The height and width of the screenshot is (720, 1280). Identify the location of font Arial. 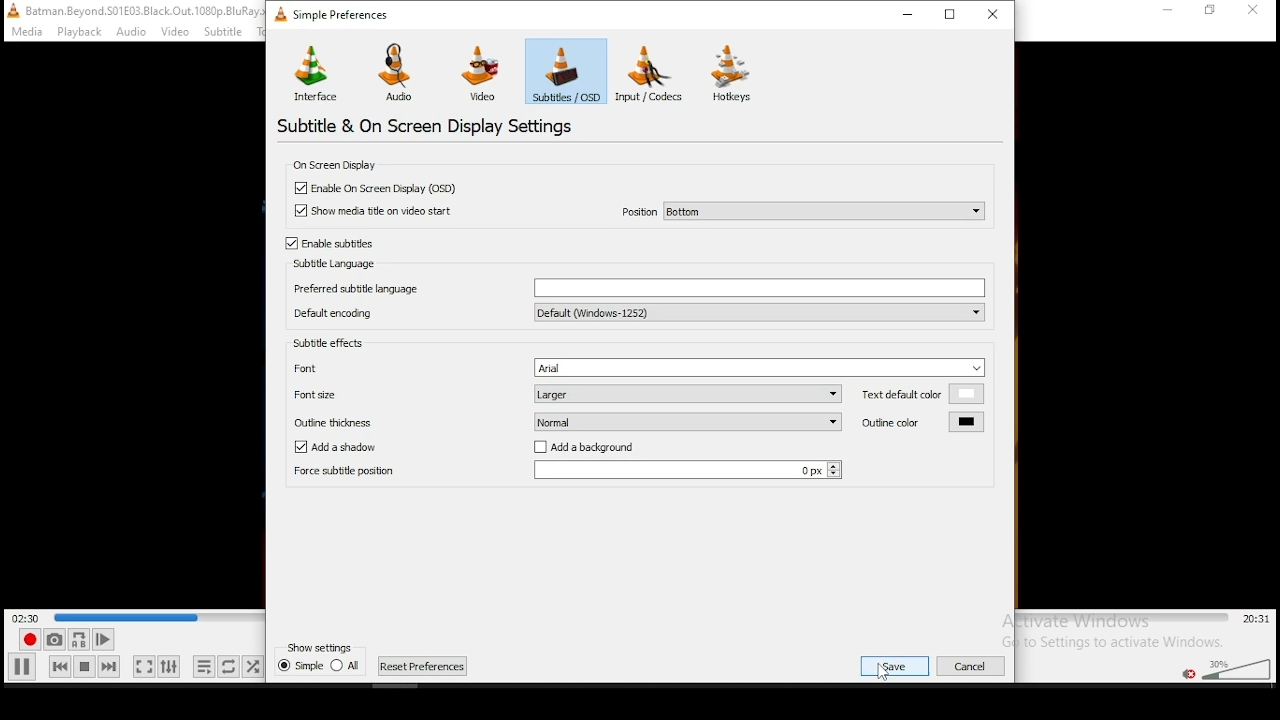
(634, 367).